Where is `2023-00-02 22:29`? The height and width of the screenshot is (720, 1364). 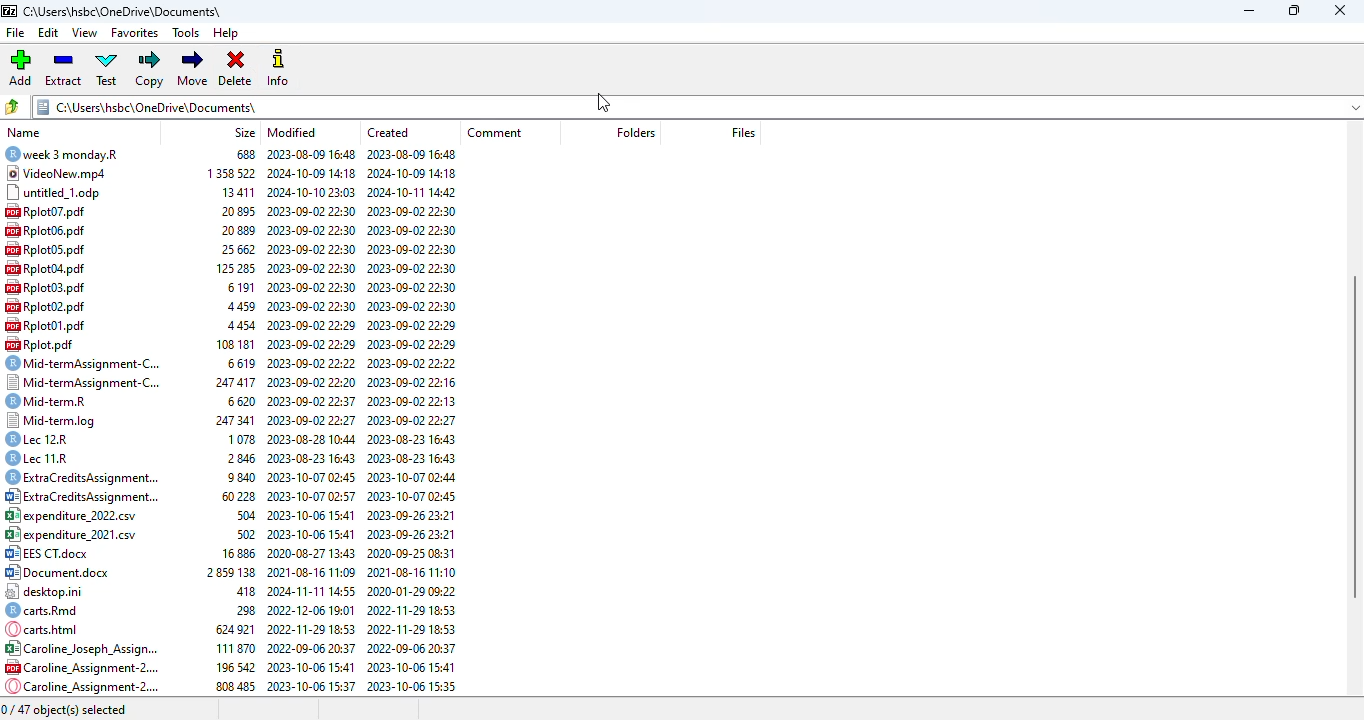 2023-00-02 22:29 is located at coordinates (410, 347).